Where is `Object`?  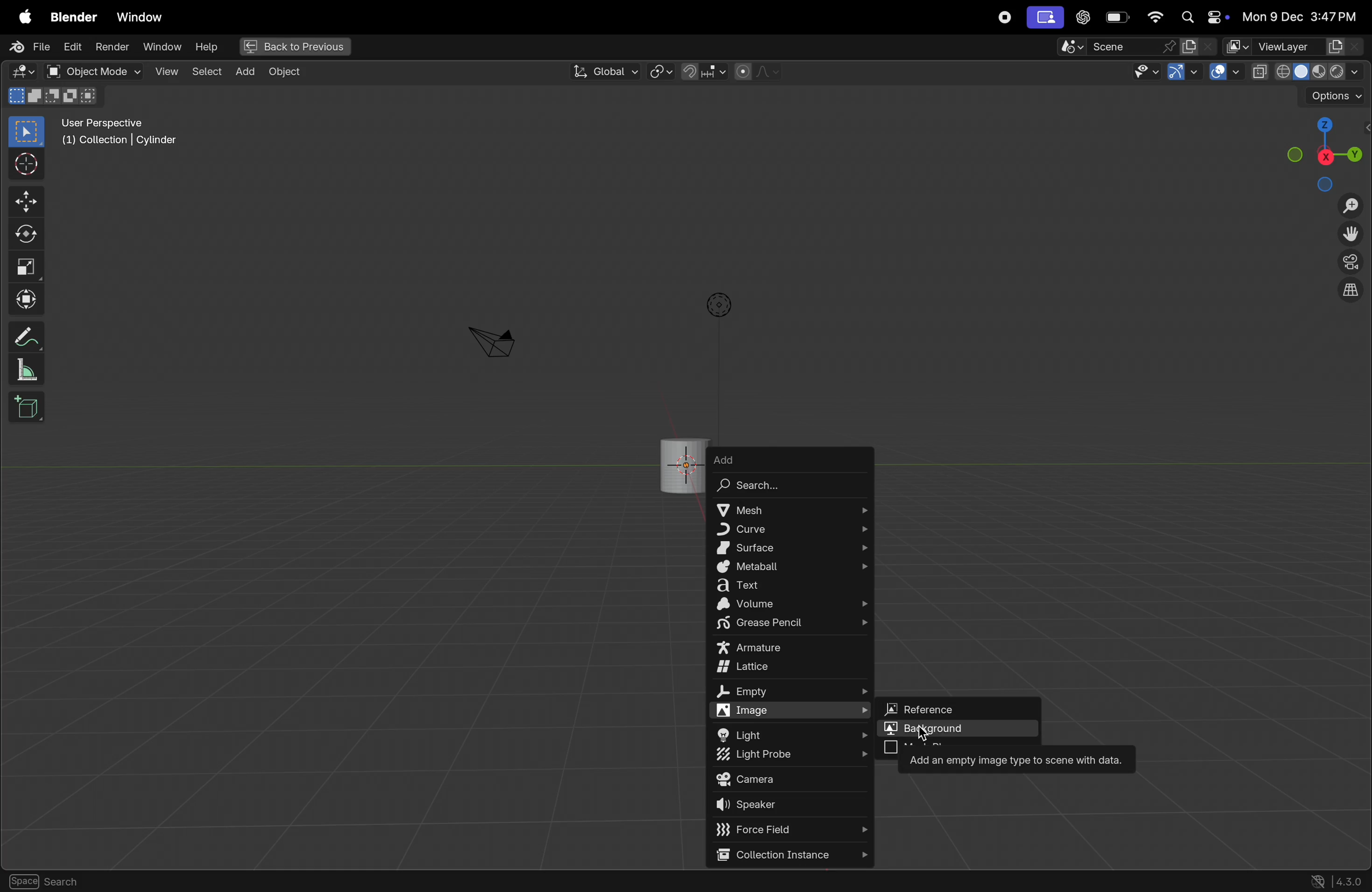 Object is located at coordinates (291, 72).